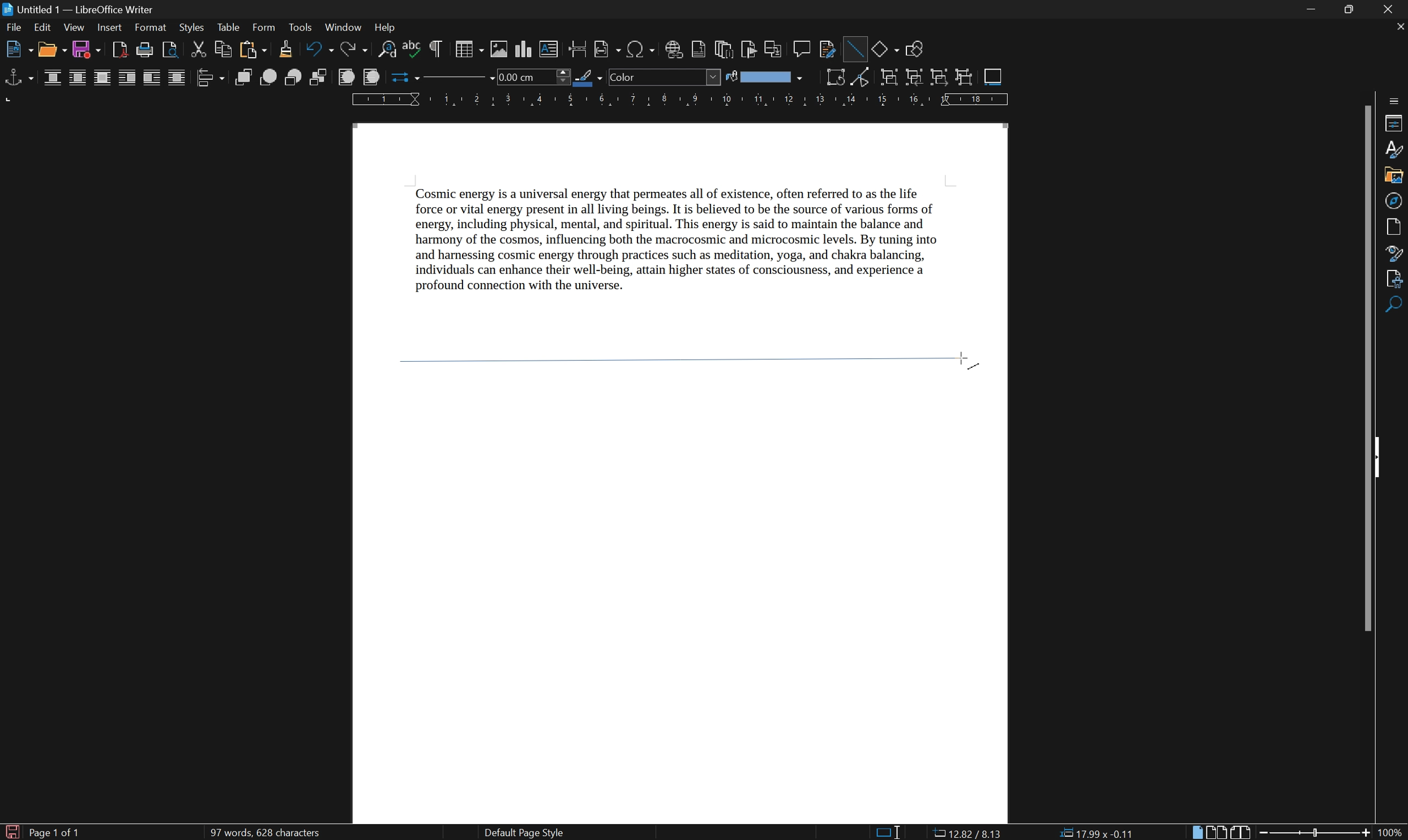  I want to click on area style, so click(665, 77).